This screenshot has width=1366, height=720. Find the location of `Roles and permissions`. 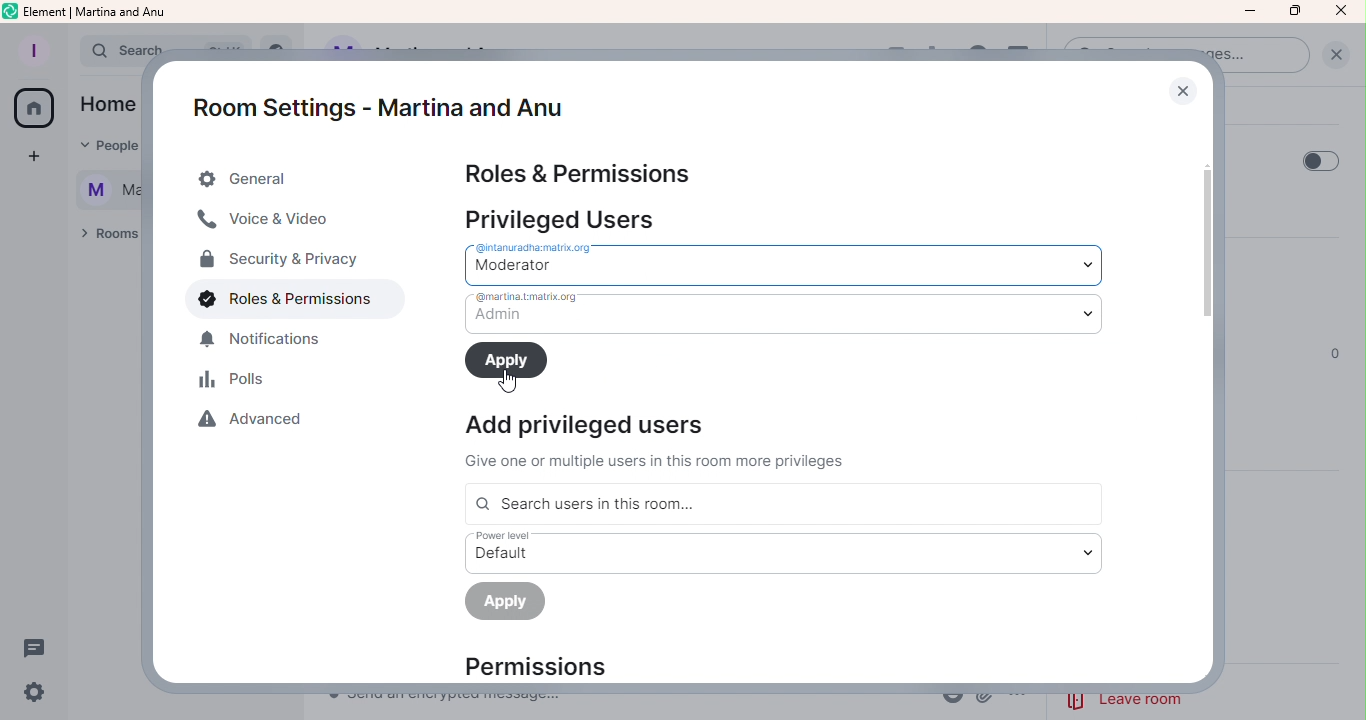

Roles and permissions is located at coordinates (280, 303).